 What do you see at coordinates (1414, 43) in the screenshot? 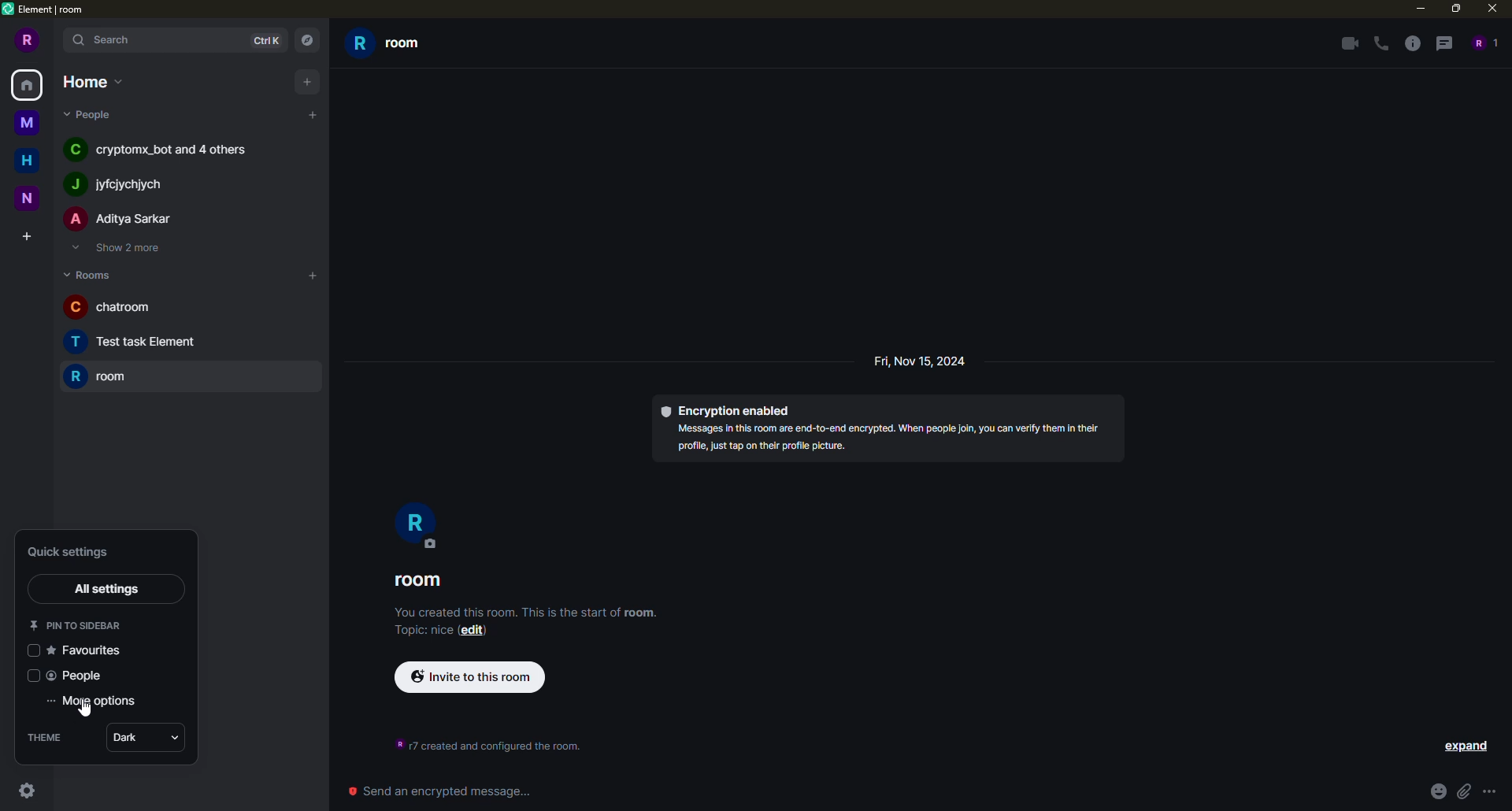
I see `info` at bounding box center [1414, 43].